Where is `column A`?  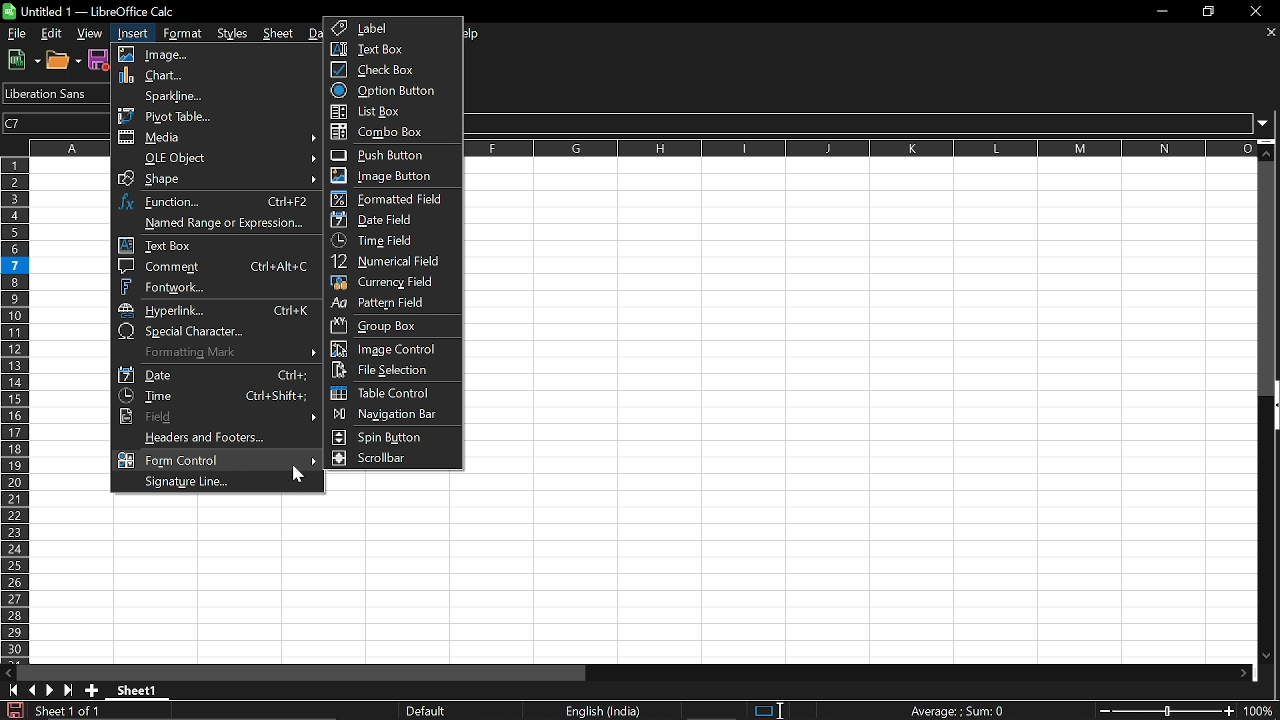
column A is located at coordinates (70, 147).